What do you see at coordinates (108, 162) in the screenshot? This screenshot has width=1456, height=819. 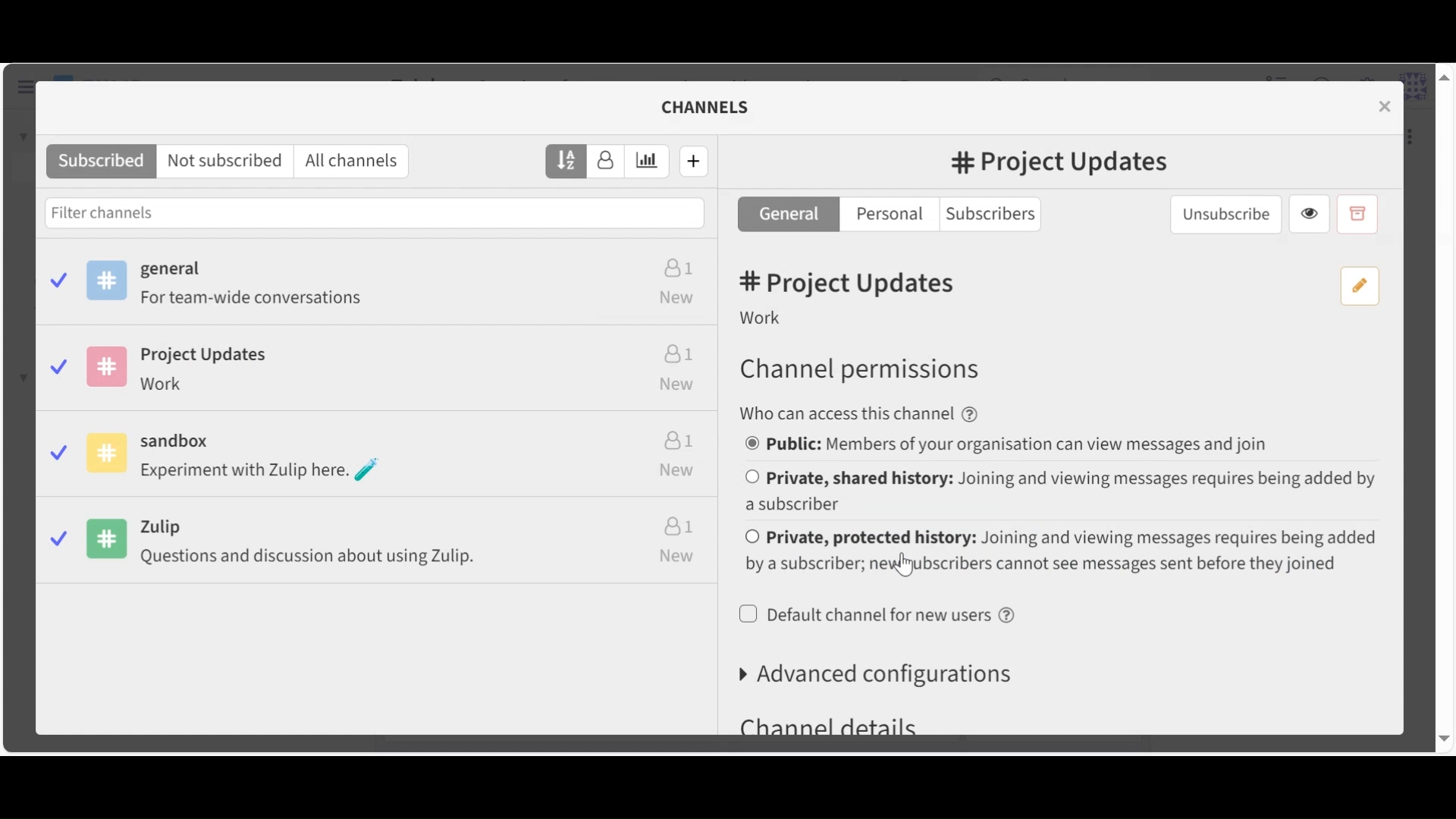 I see `Subscribed` at bounding box center [108, 162].